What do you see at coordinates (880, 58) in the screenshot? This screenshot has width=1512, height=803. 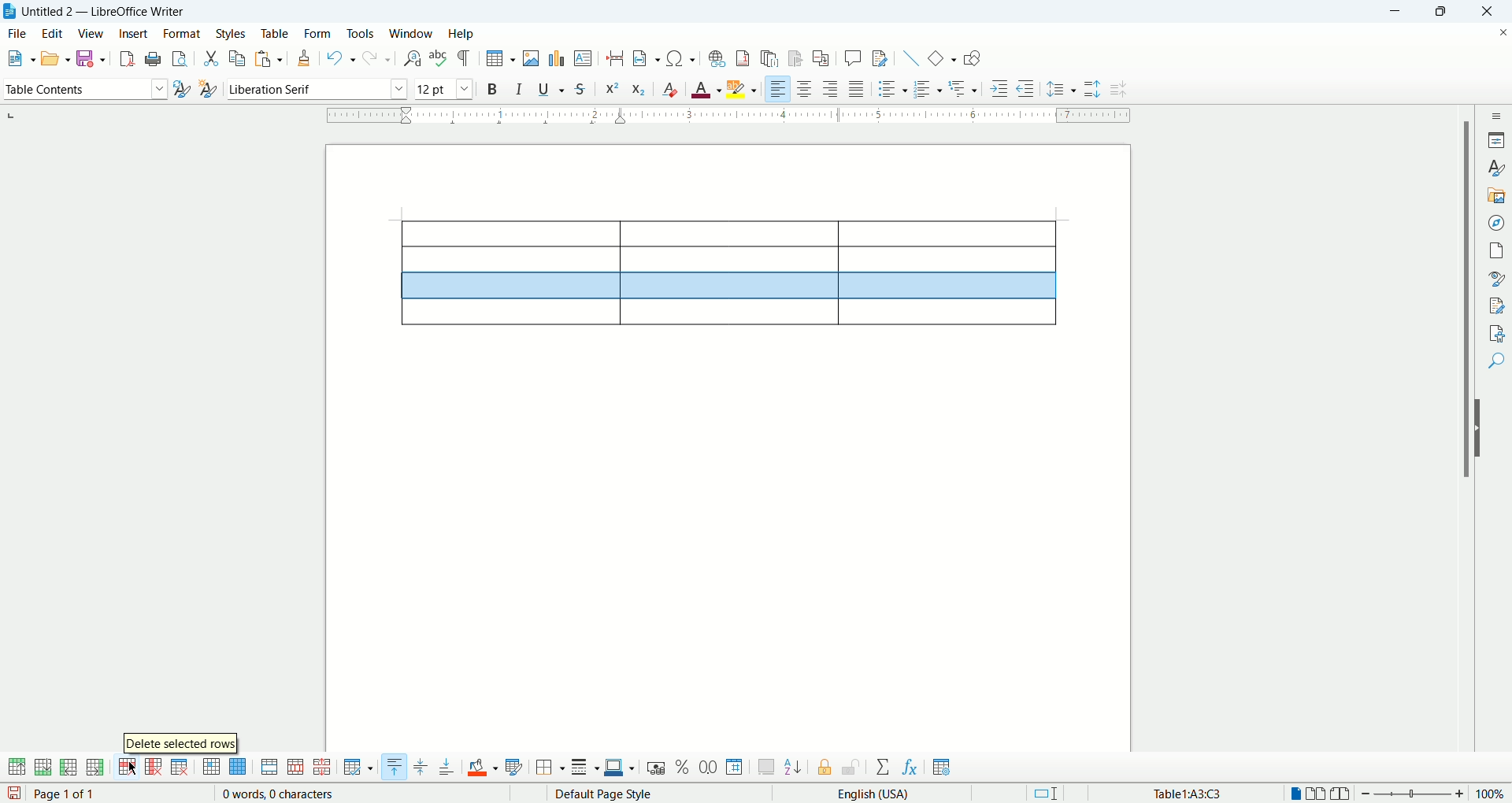 I see `show track changes` at bounding box center [880, 58].